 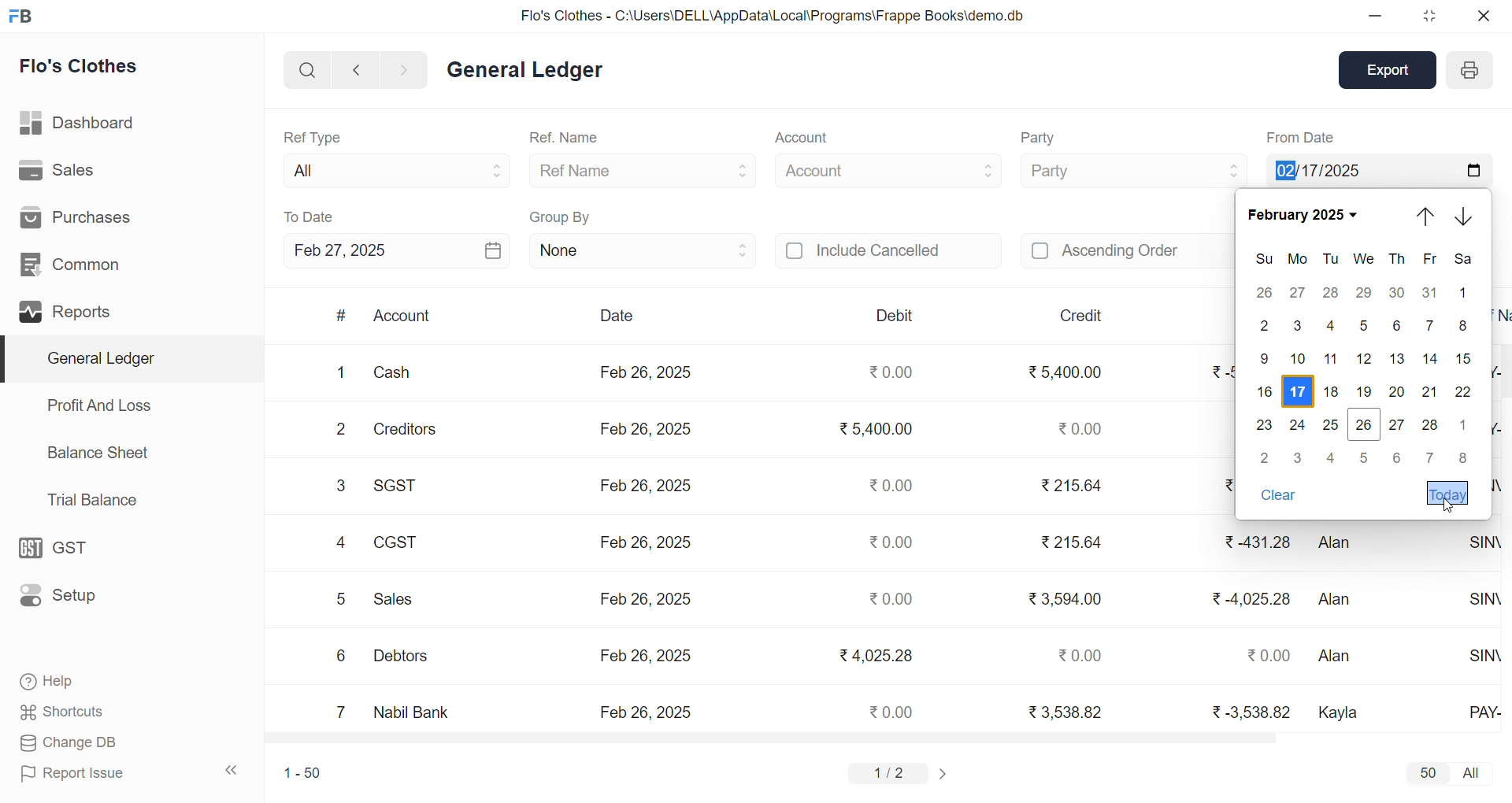 I want to click on ₹5,400.00, so click(x=878, y=431).